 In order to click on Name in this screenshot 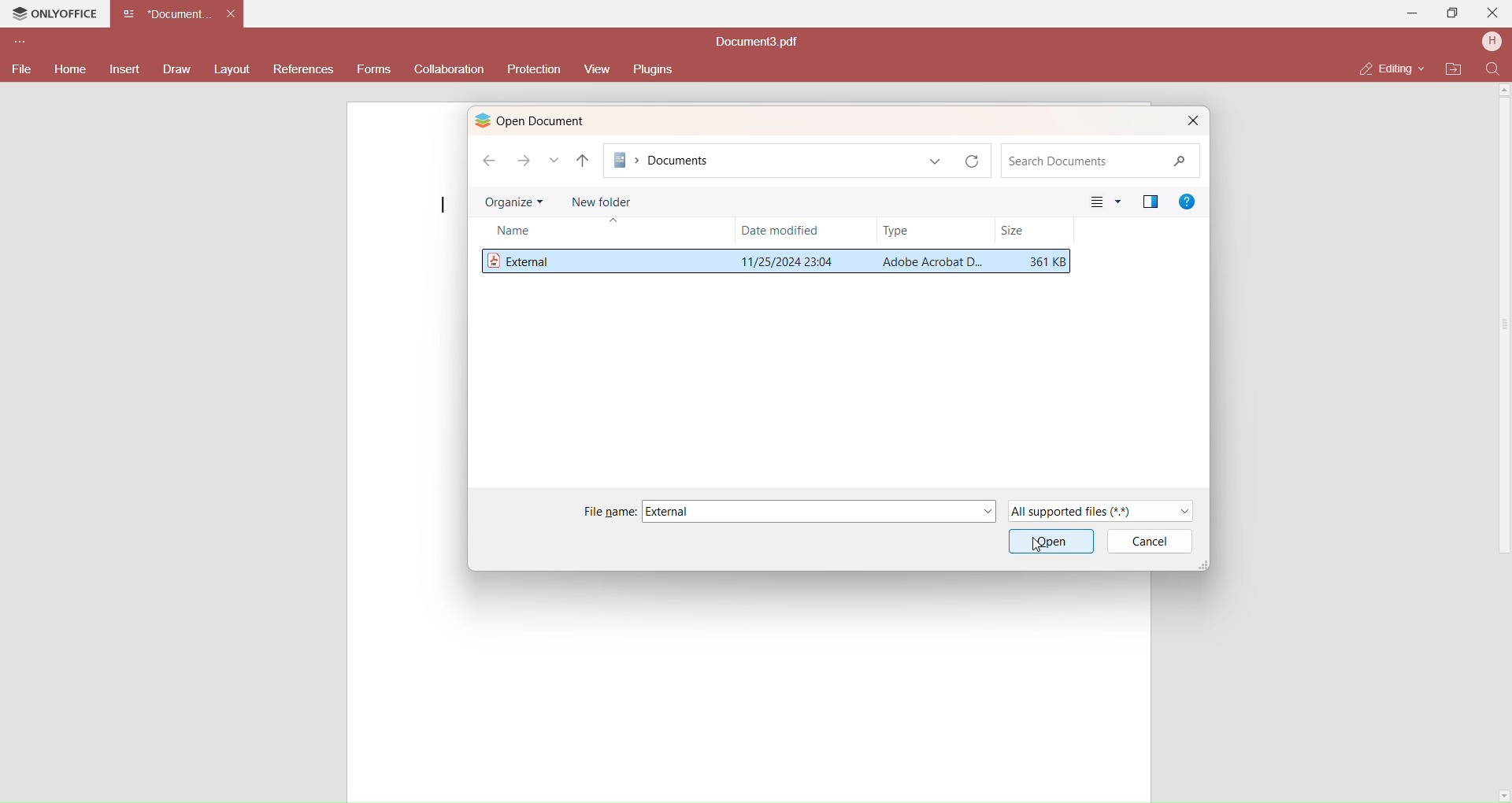, I will do `click(519, 232)`.